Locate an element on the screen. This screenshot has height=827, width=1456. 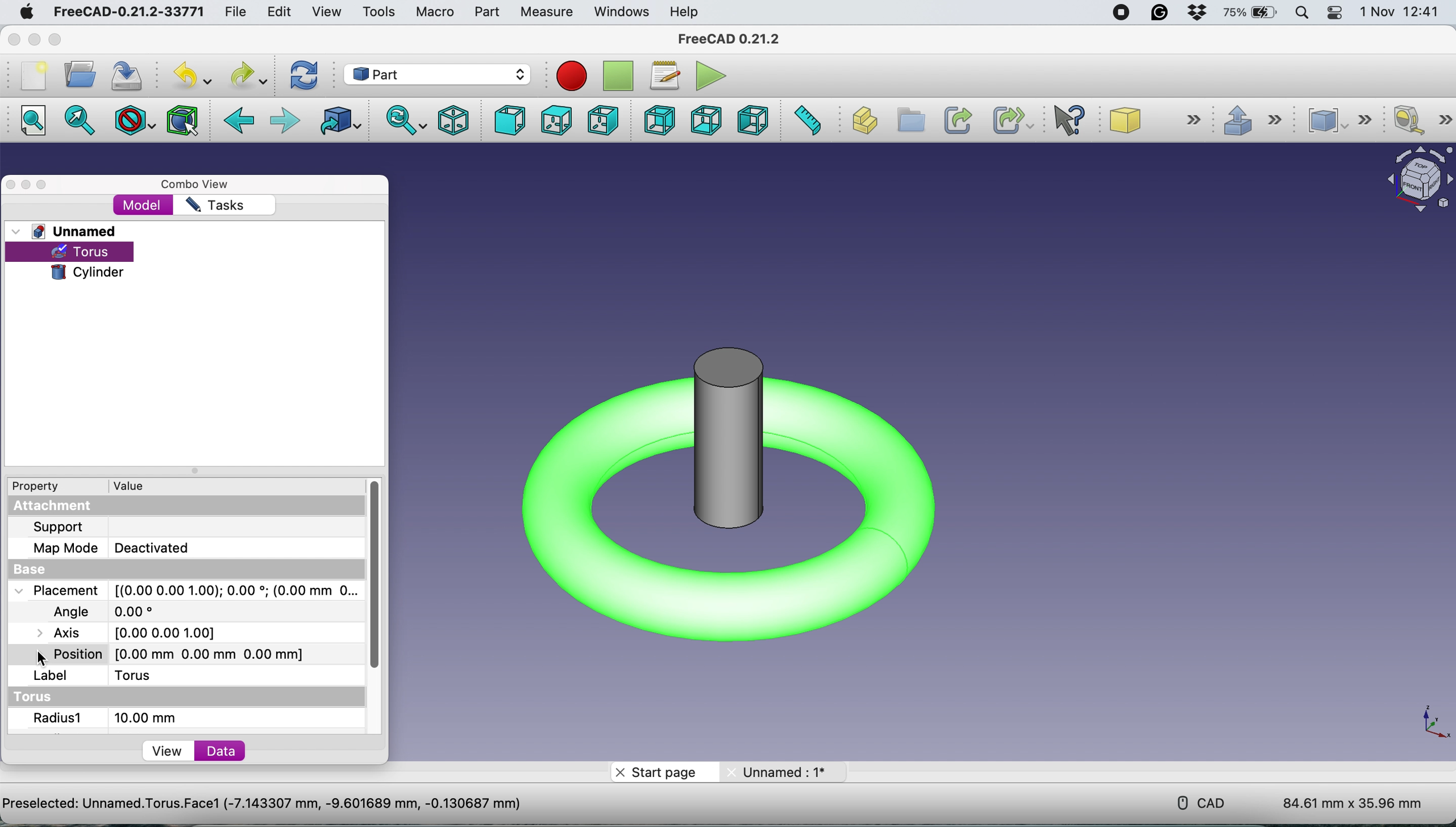
measure distance is located at coordinates (809, 120).